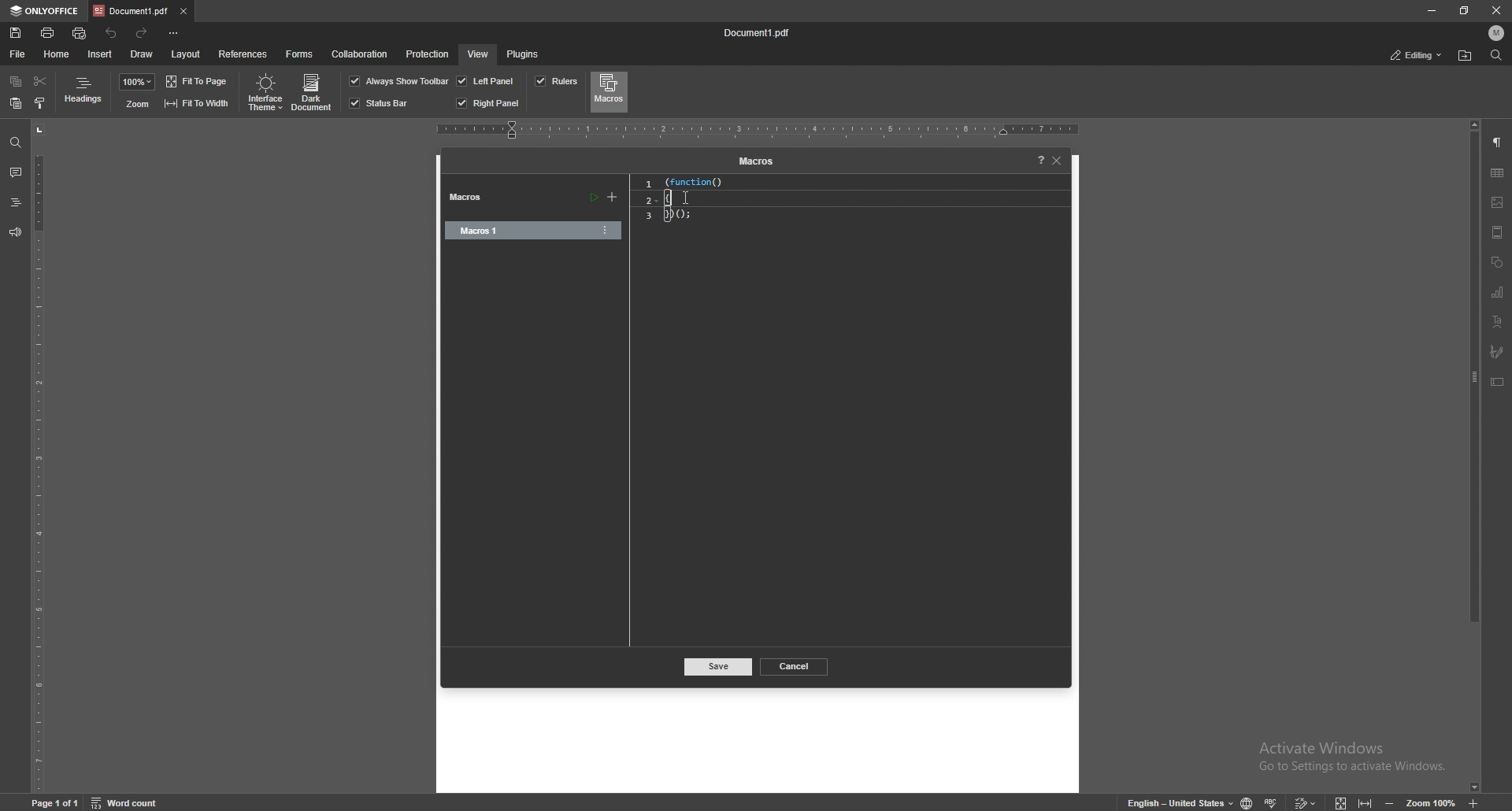 The image size is (1512, 811). What do you see at coordinates (1497, 261) in the screenshot?
I see `shapes` at bounding box center [1497, 261].